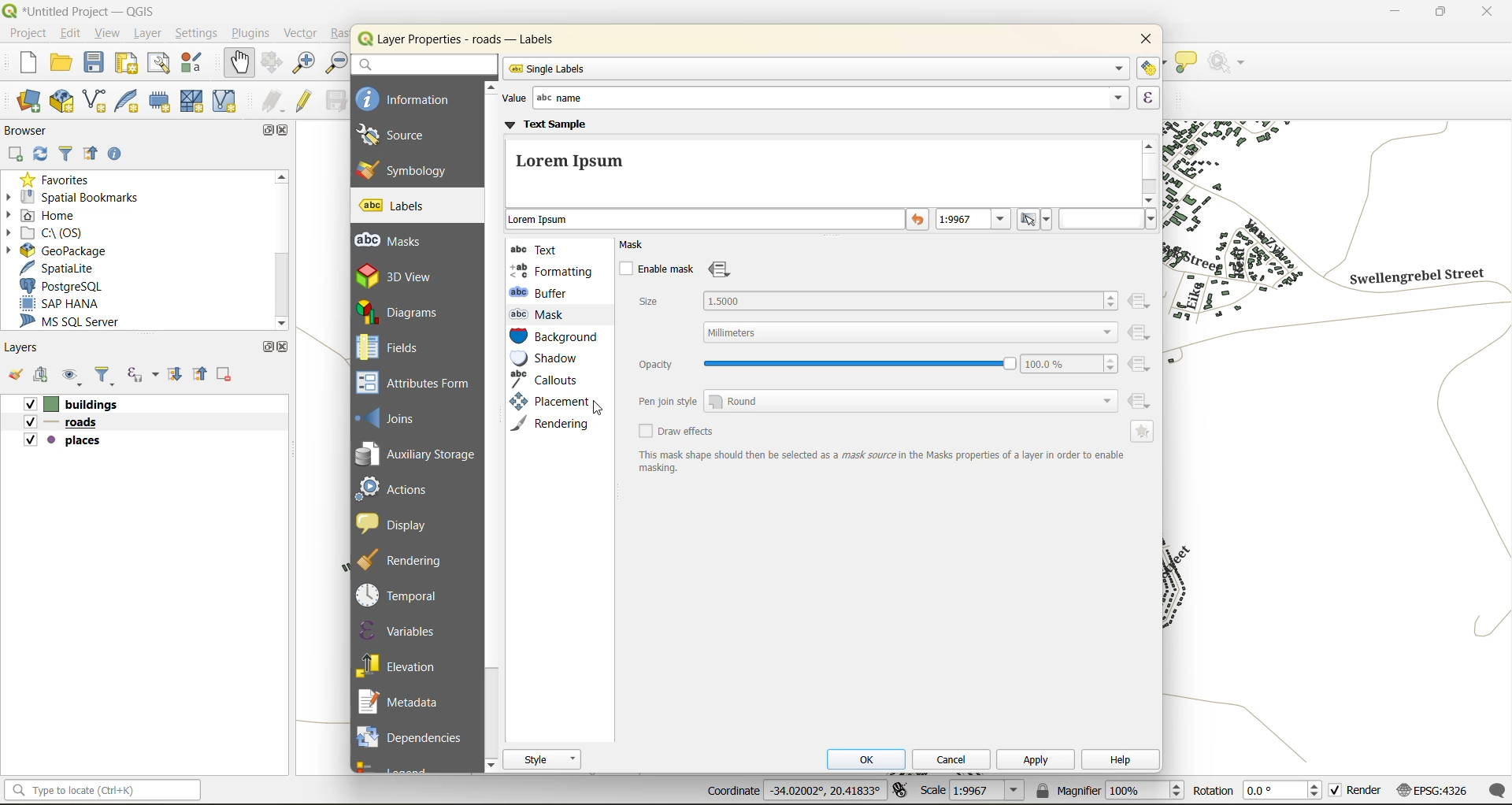 The height and width of the screenshot is (805, 1512). What do you see at coordinates (955, 759) in the screenshot?
I see `cancel` at bounding box center [955, 759].